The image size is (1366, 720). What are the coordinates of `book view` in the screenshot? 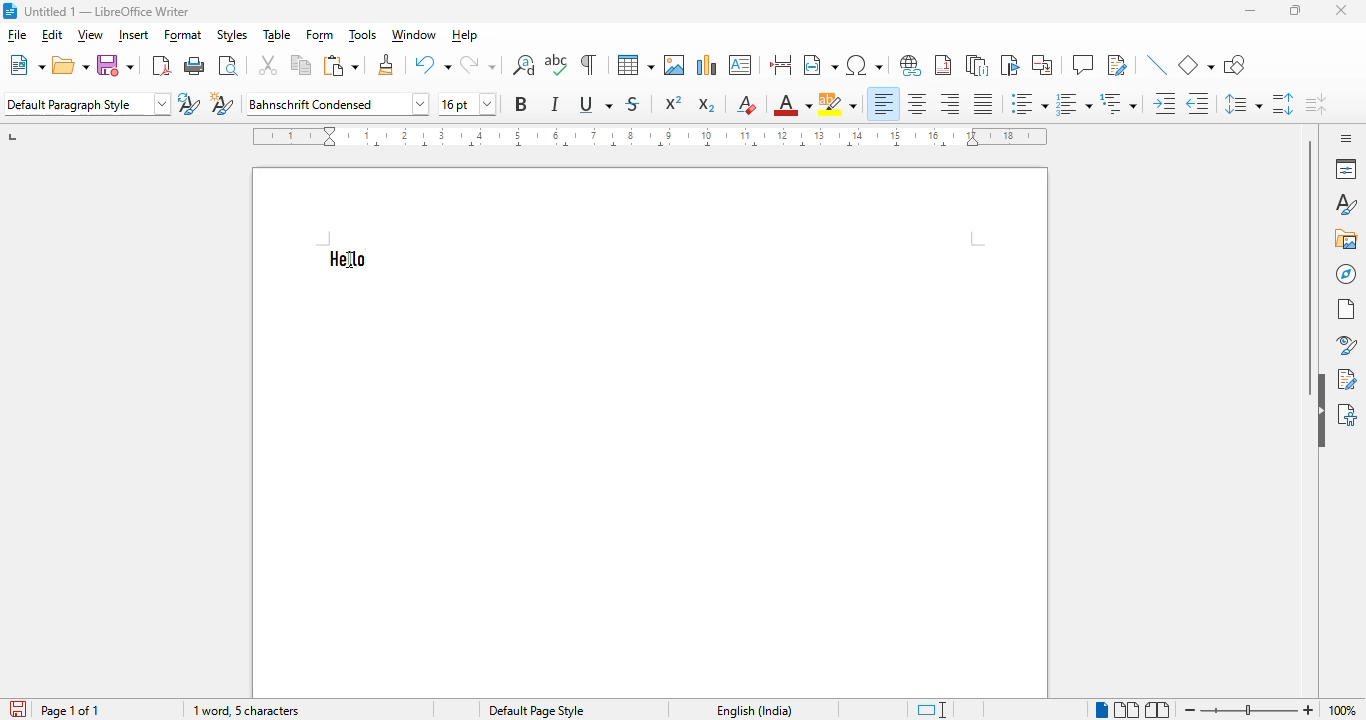 It's located at (1159, 709).